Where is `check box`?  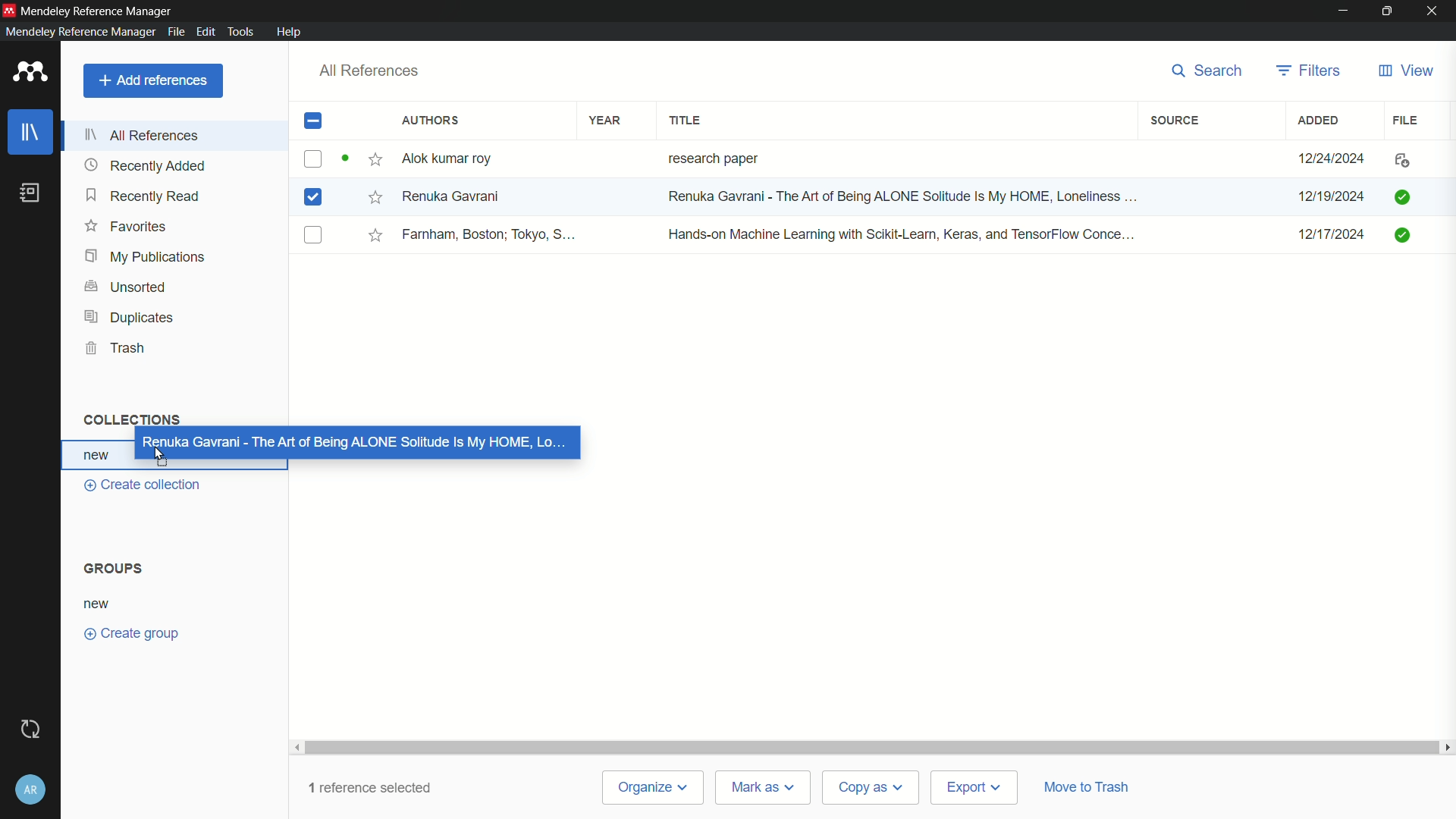
check box is located at coordinates (315, 121).